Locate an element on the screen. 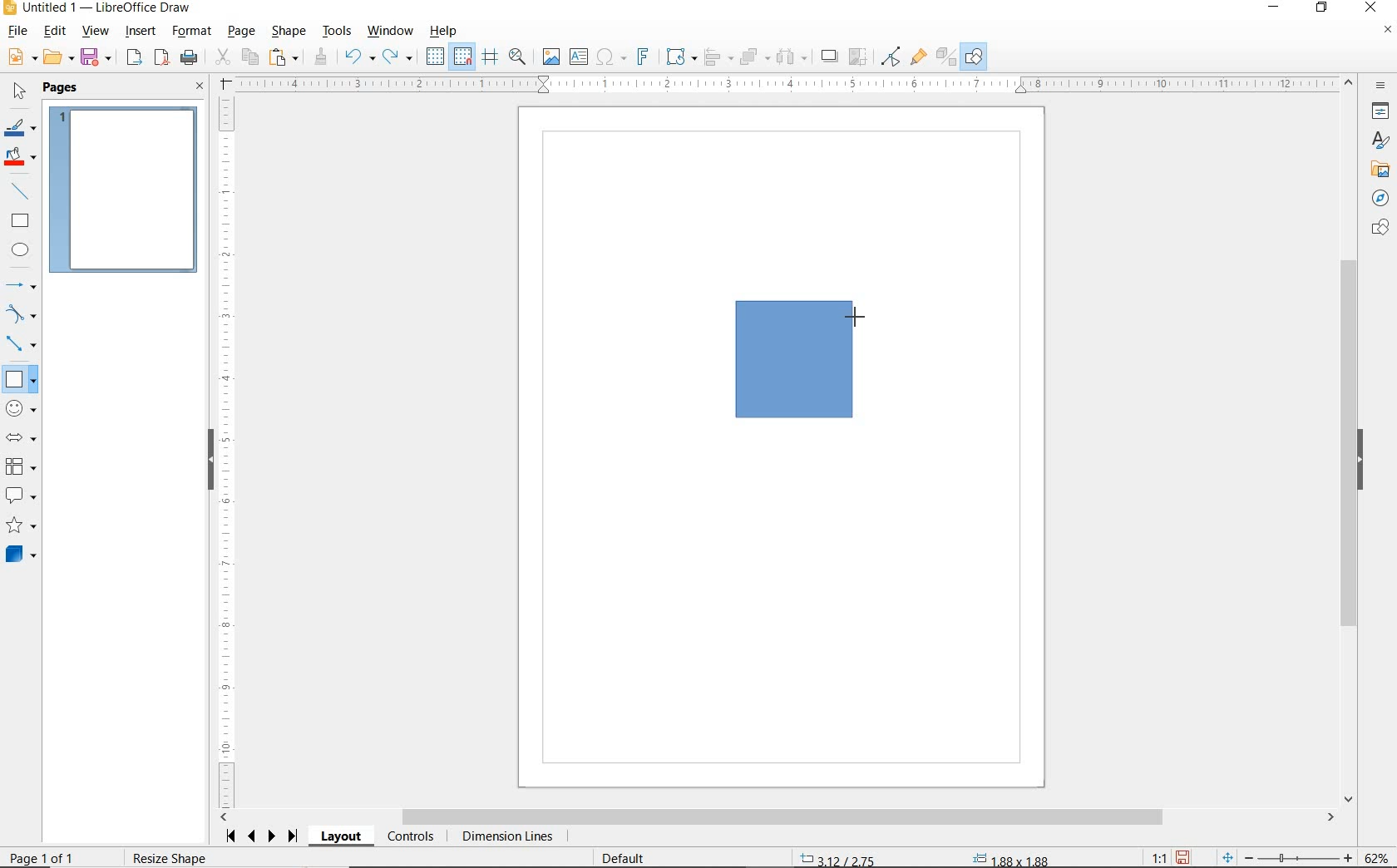  CROP IMAGE is located at coordinates (859, 57).